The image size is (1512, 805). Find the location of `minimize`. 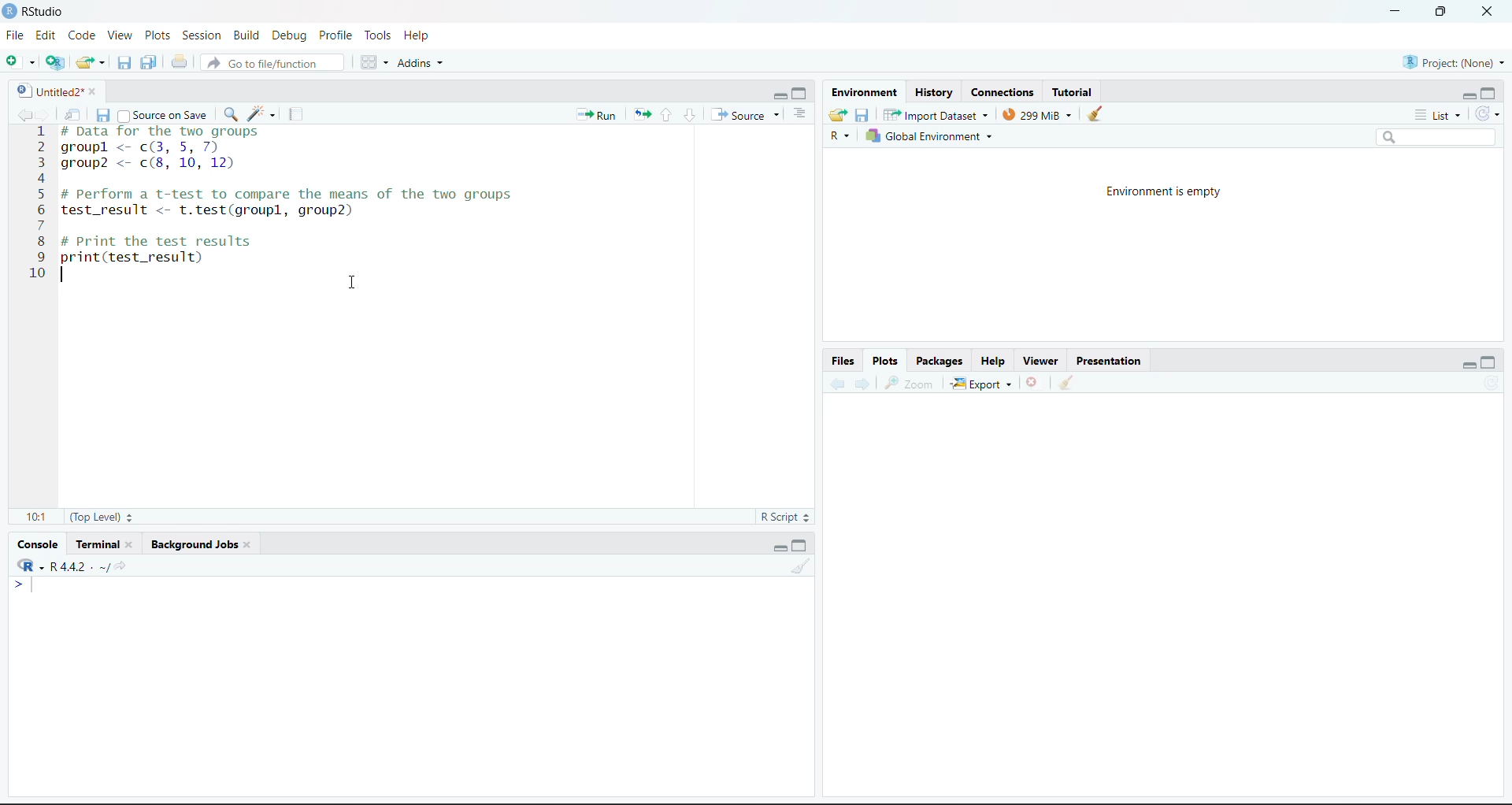

minimize is located at coordinates (1469, 96).